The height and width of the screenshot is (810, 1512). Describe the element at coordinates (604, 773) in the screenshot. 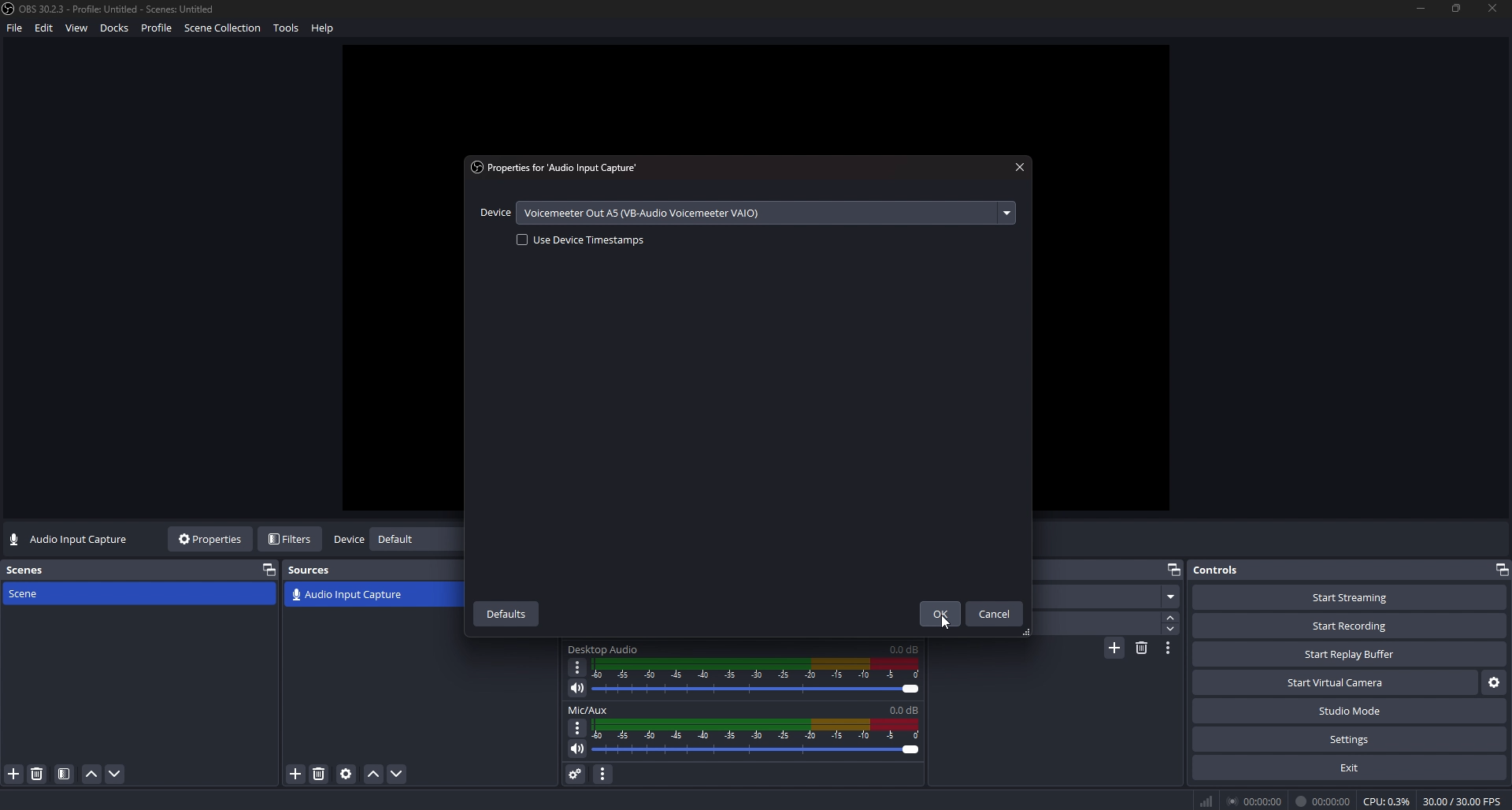

I see `audio mixer menu` at that location.